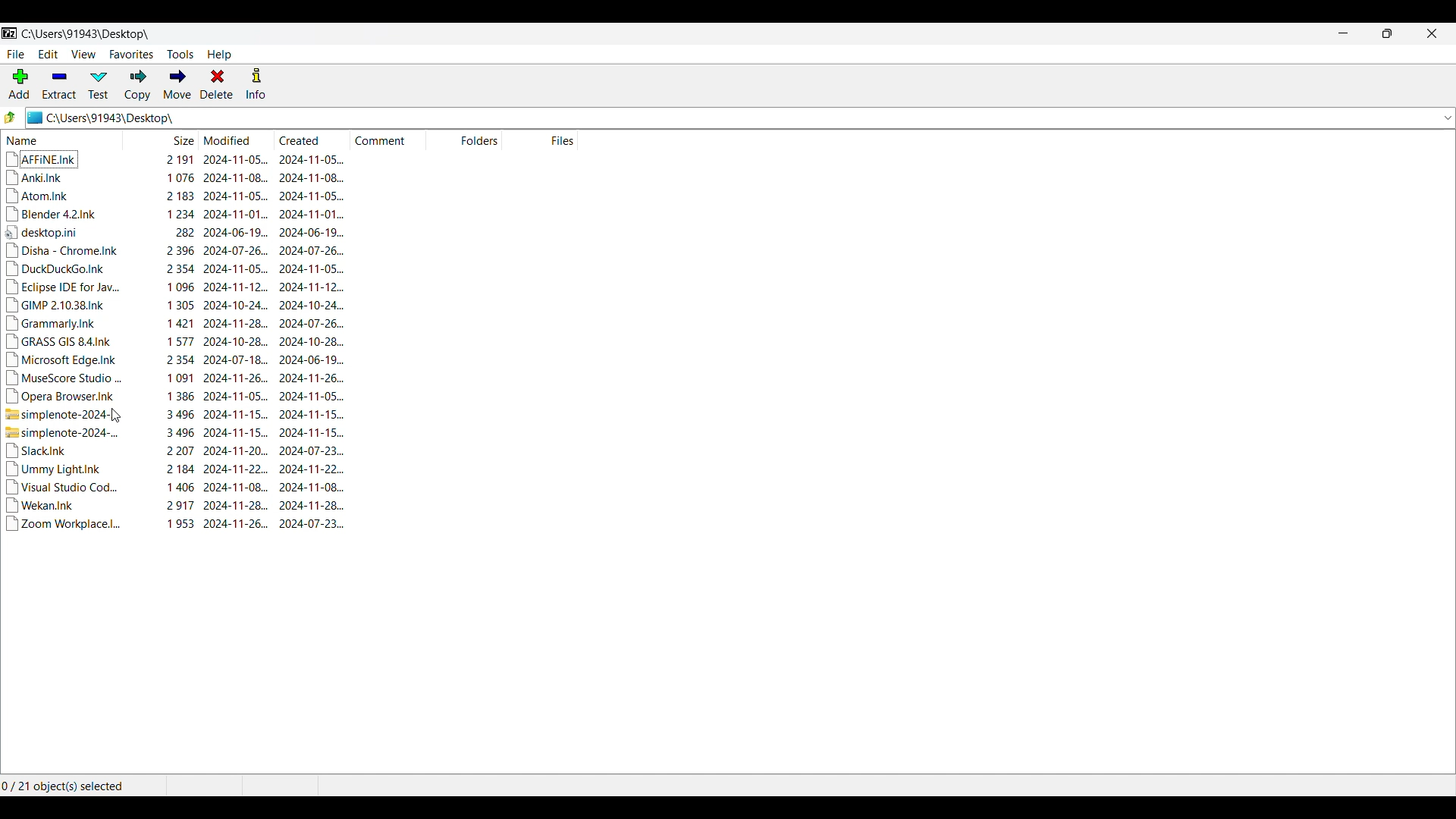 The width and height of the screenshot is (1456, 819). Describe the element at coordinates (176, 250) in the screenshot. I see `Disha - Chrome.Ink 2396 2024-07-26... 2024-07-26.` at that location.